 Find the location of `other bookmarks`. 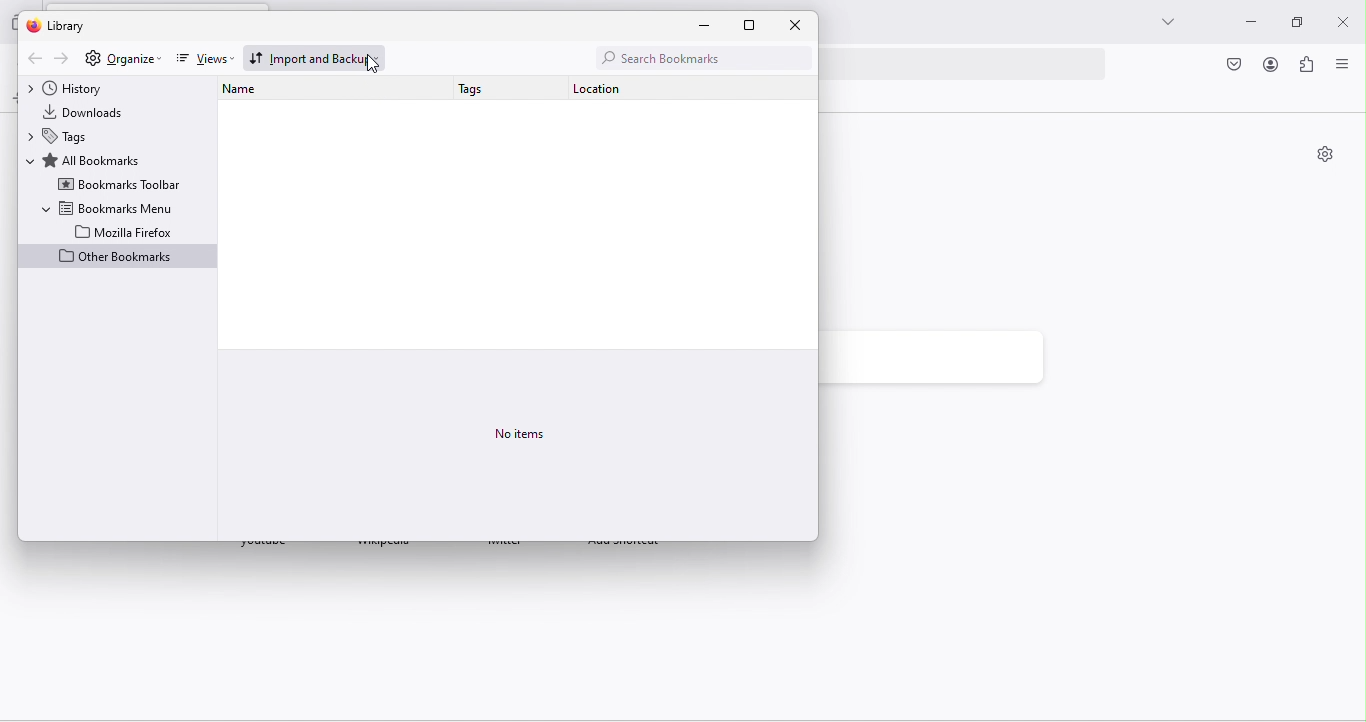

other bookmarks is located at coordinates (117, 258).